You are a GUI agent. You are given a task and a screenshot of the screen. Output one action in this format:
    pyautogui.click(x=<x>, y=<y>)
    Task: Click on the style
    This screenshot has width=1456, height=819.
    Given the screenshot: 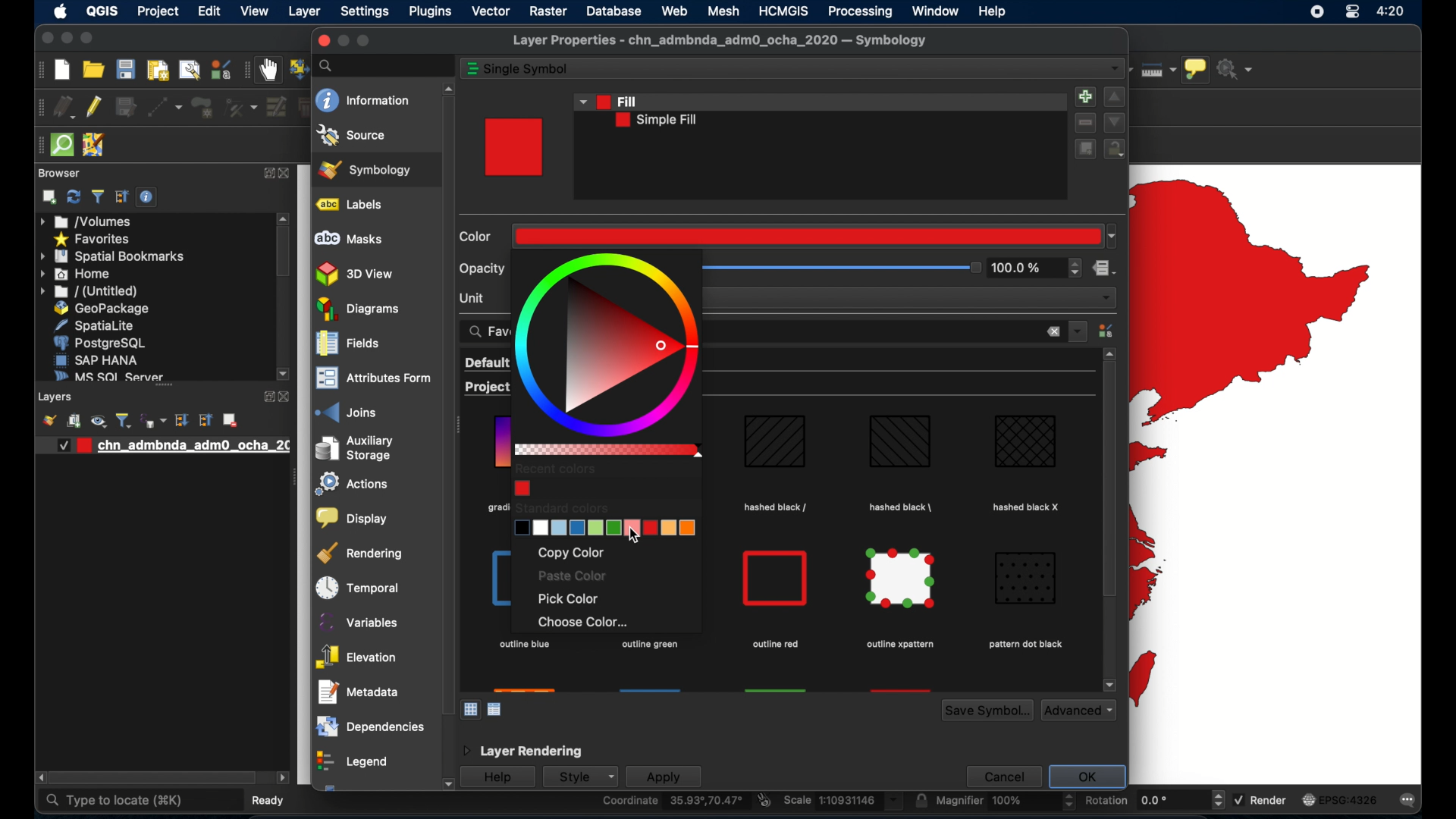 What is the action you would take?
    pyautogui.click(x=579, y=777)
    